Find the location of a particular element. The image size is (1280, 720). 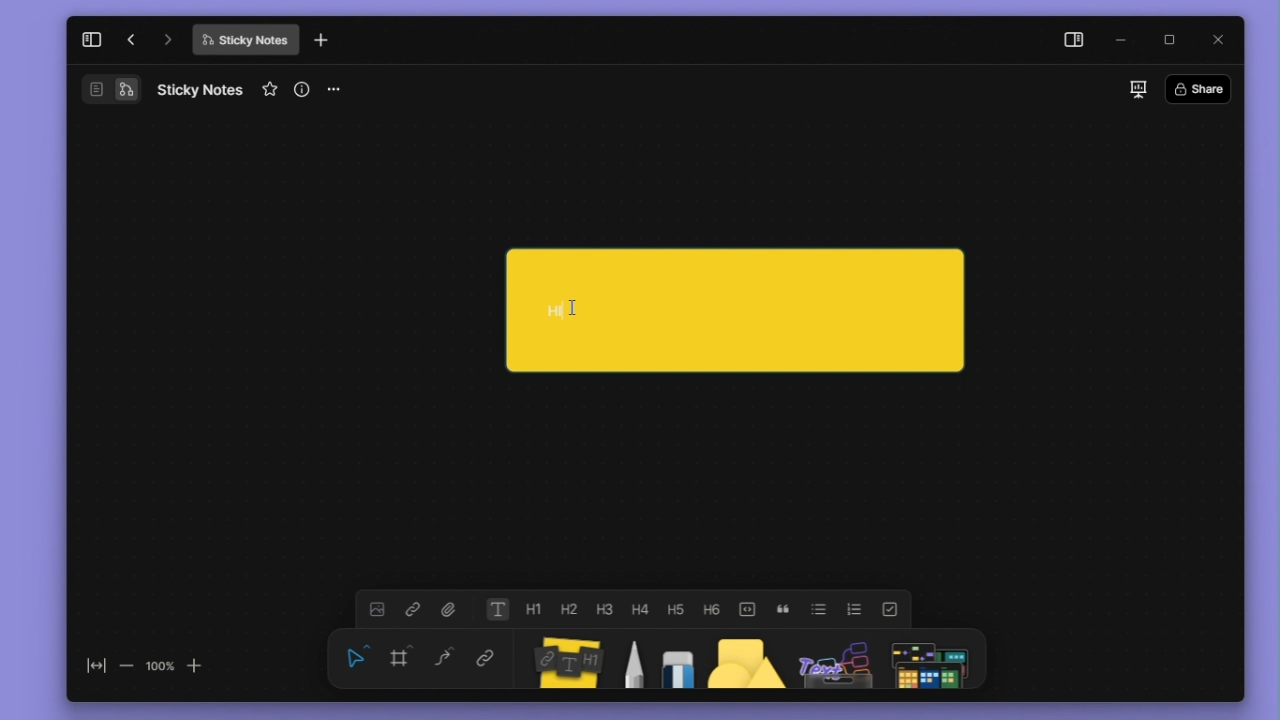

heading is located at coordinates (606, 609).